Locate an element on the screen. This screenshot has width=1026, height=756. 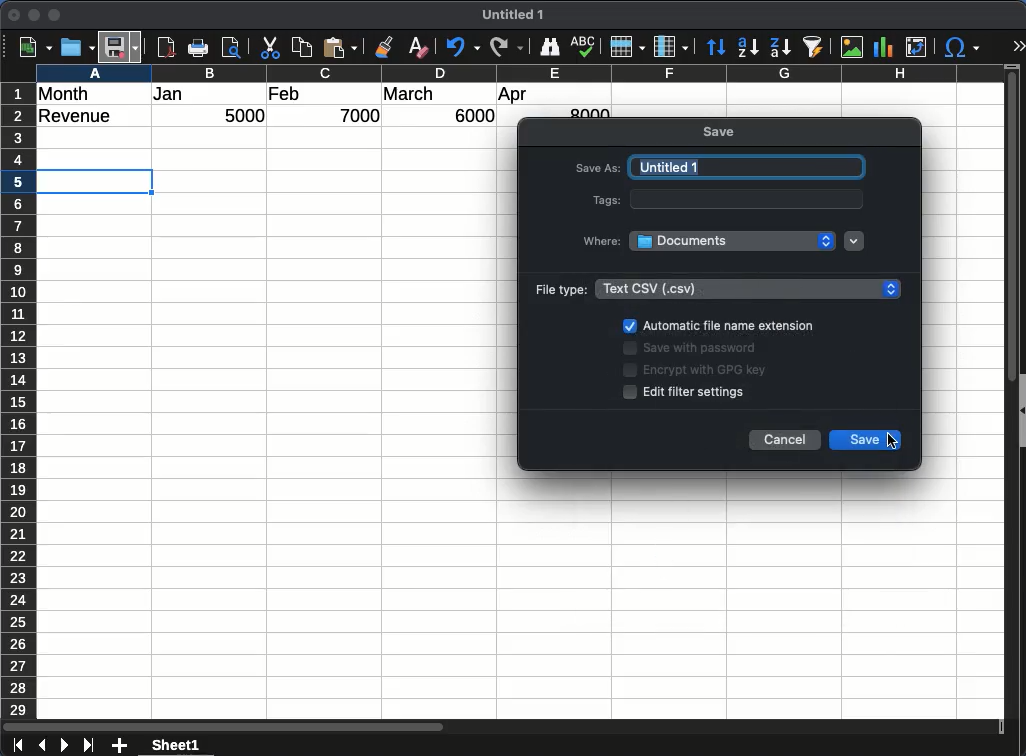
maximize is located at coordinates (56, 15).